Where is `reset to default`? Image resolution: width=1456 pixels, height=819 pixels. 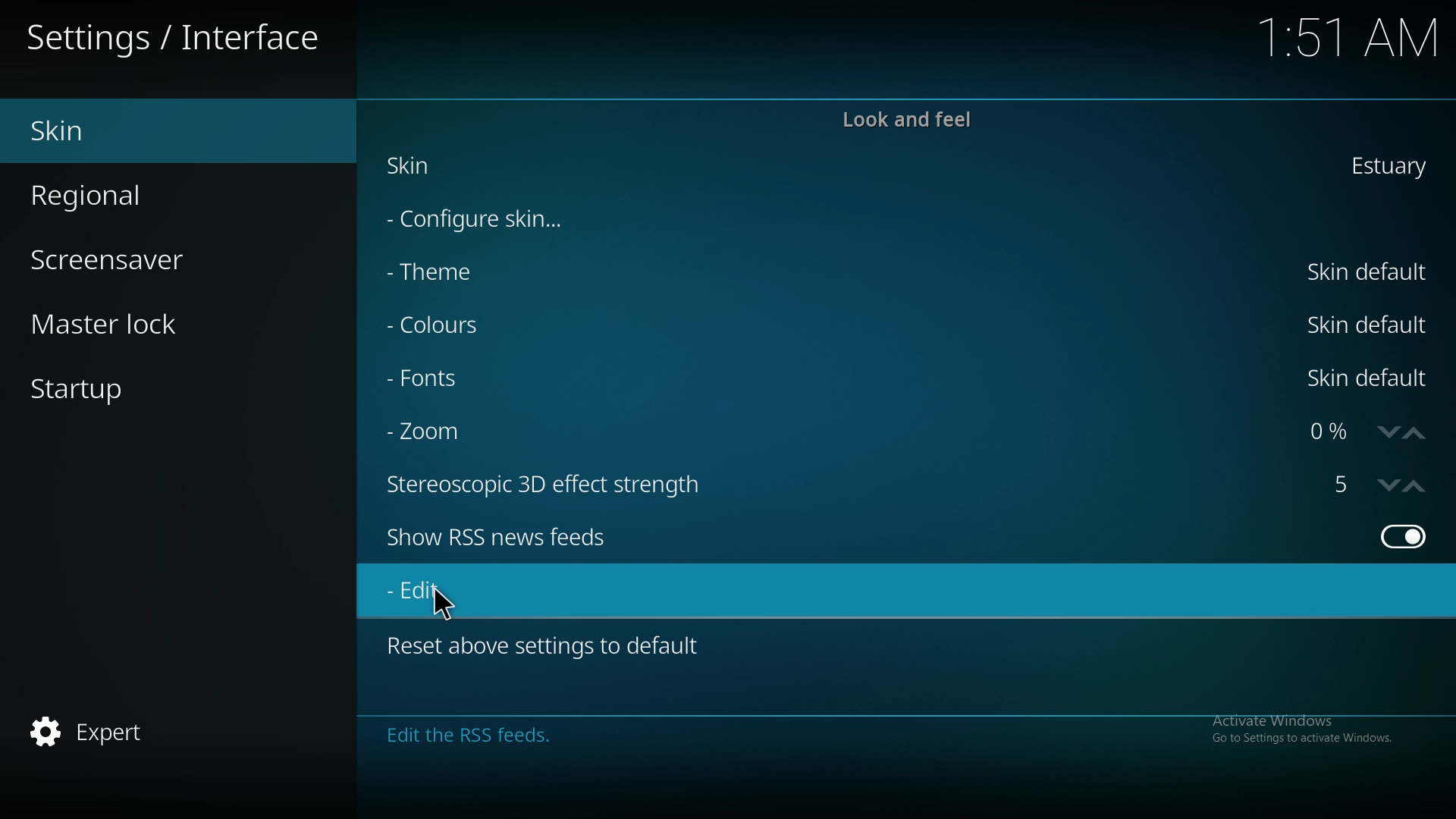 reset to default is located at coordinates (551, 645).